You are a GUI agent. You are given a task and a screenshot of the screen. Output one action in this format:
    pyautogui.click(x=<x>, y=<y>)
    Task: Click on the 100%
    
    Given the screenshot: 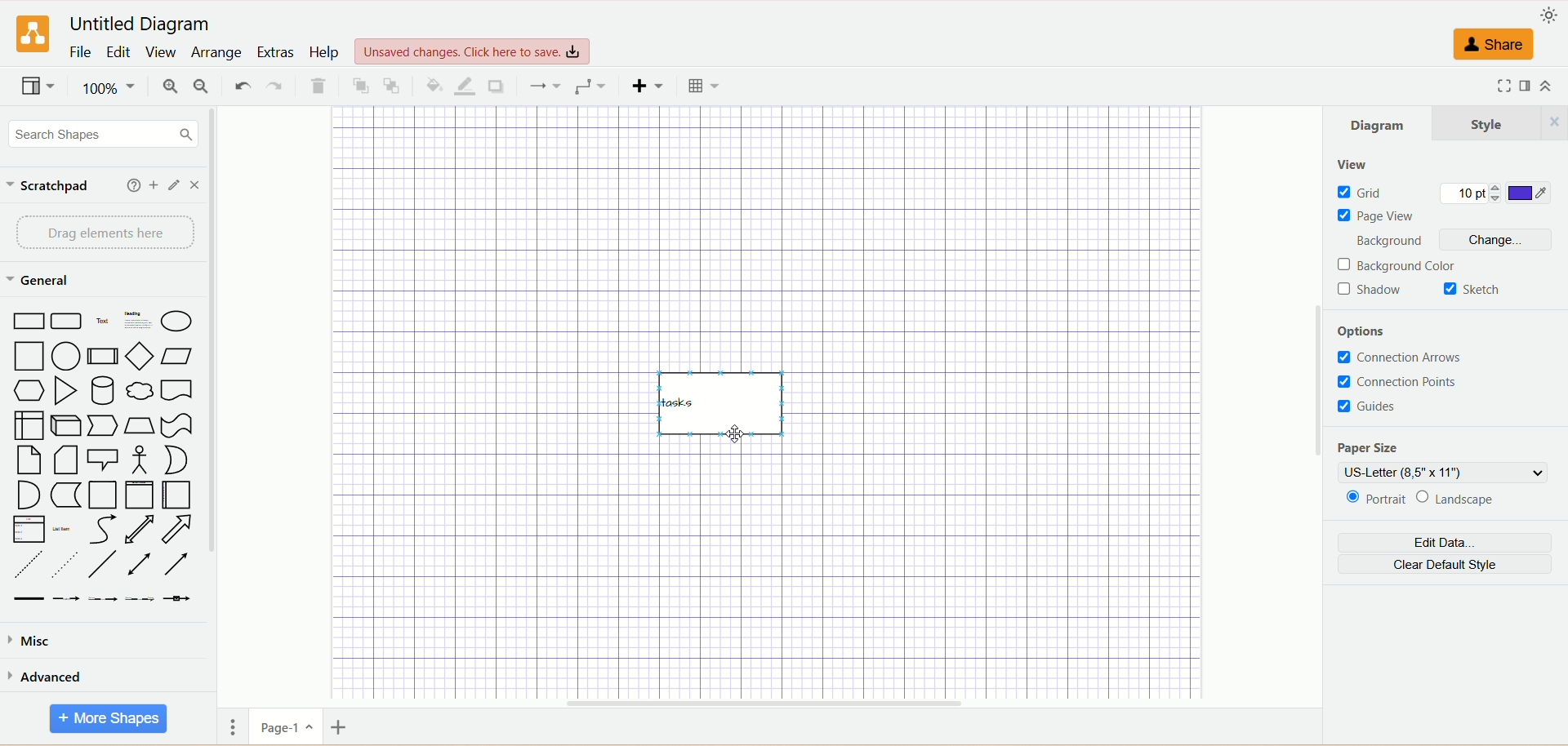 What is the action you would take?
    pyautogui.click(x=109, y=88)
    